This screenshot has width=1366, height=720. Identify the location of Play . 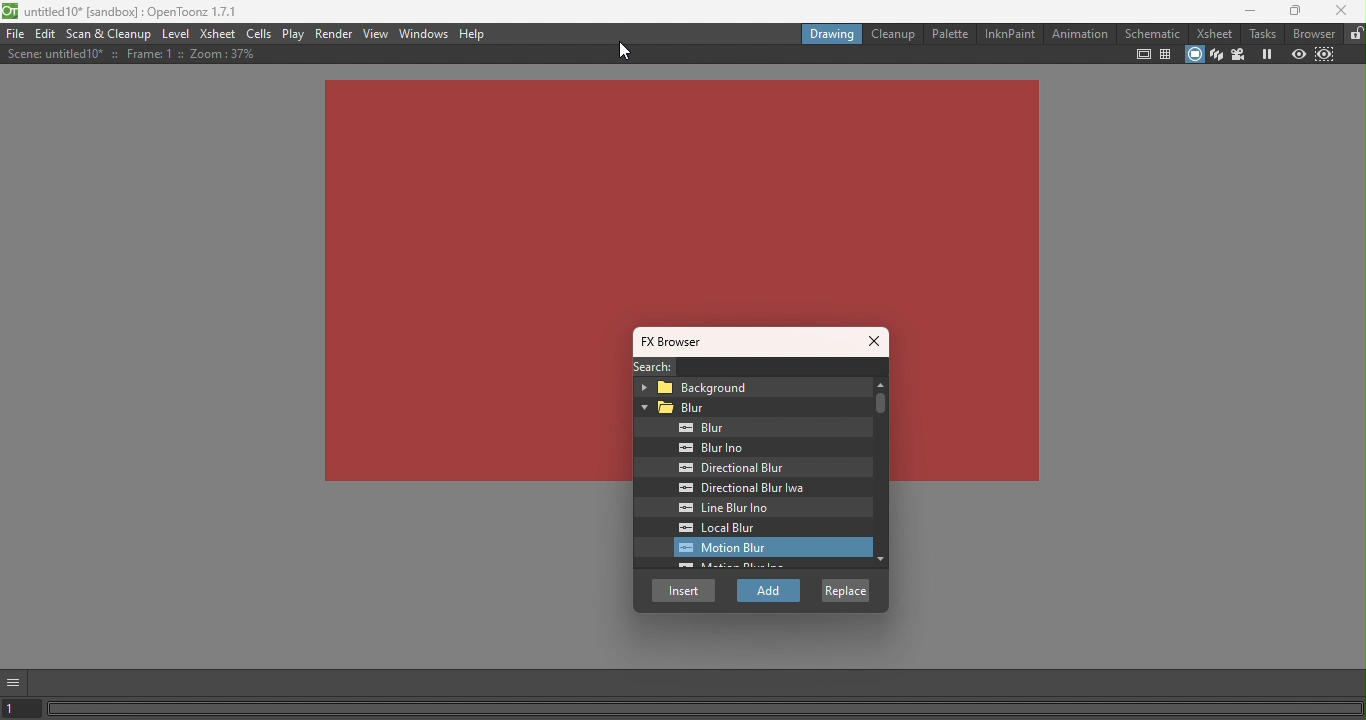
(295, 34).